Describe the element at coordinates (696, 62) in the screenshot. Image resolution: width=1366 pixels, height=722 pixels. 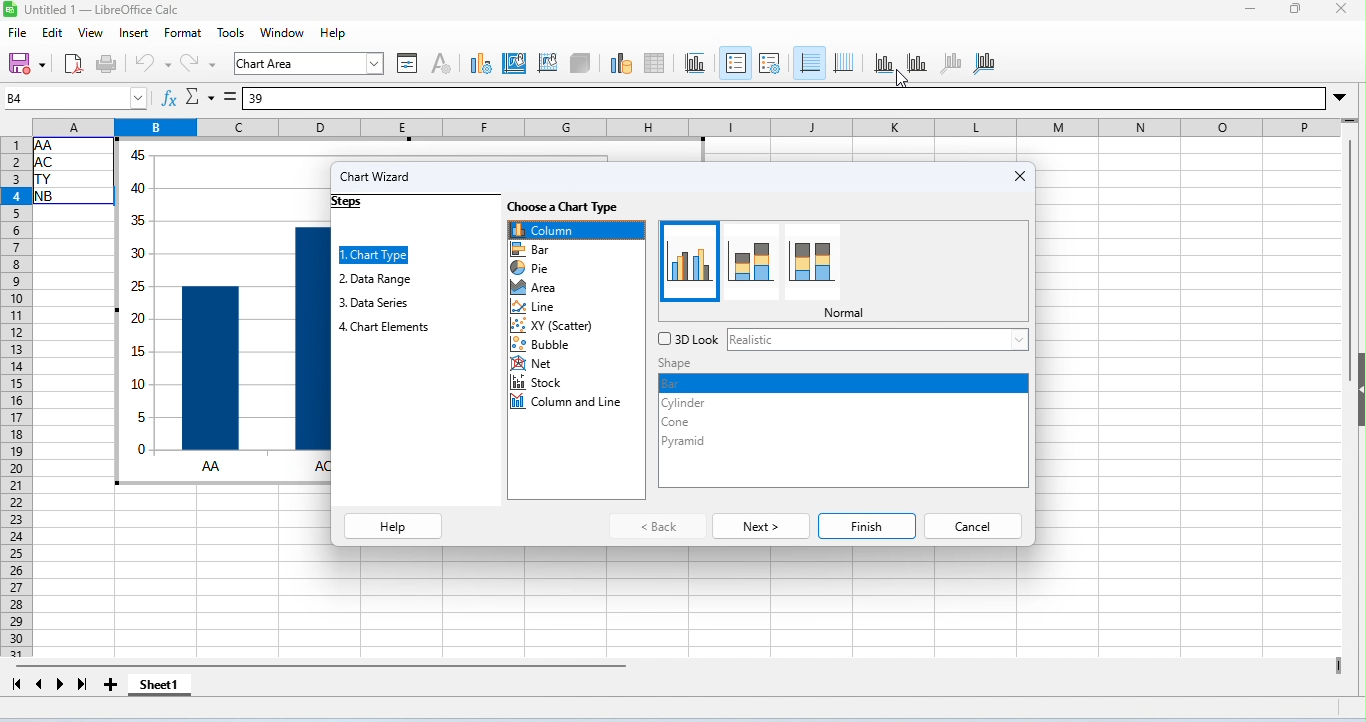
I see `tiles` at that location.